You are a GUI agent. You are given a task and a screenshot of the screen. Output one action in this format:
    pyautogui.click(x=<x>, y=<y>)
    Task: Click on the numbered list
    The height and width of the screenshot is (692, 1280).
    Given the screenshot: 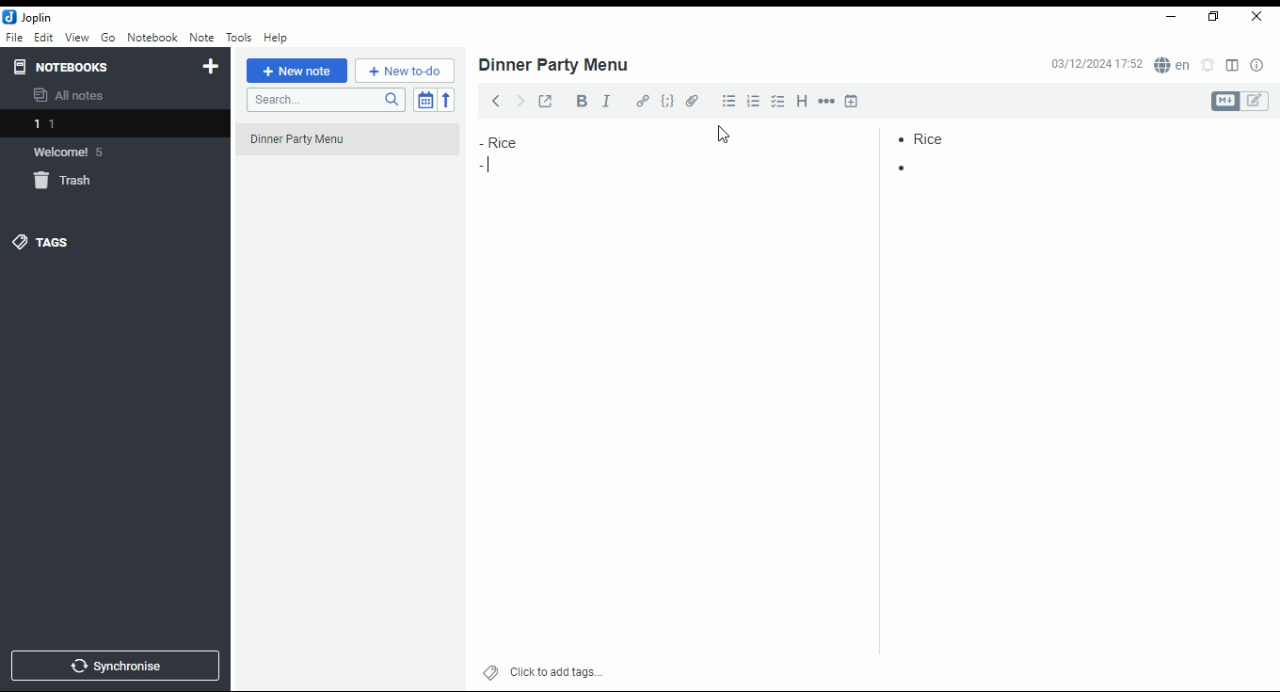 What is the action you would take?
    pyautogui.click(x=756, y=101)
    